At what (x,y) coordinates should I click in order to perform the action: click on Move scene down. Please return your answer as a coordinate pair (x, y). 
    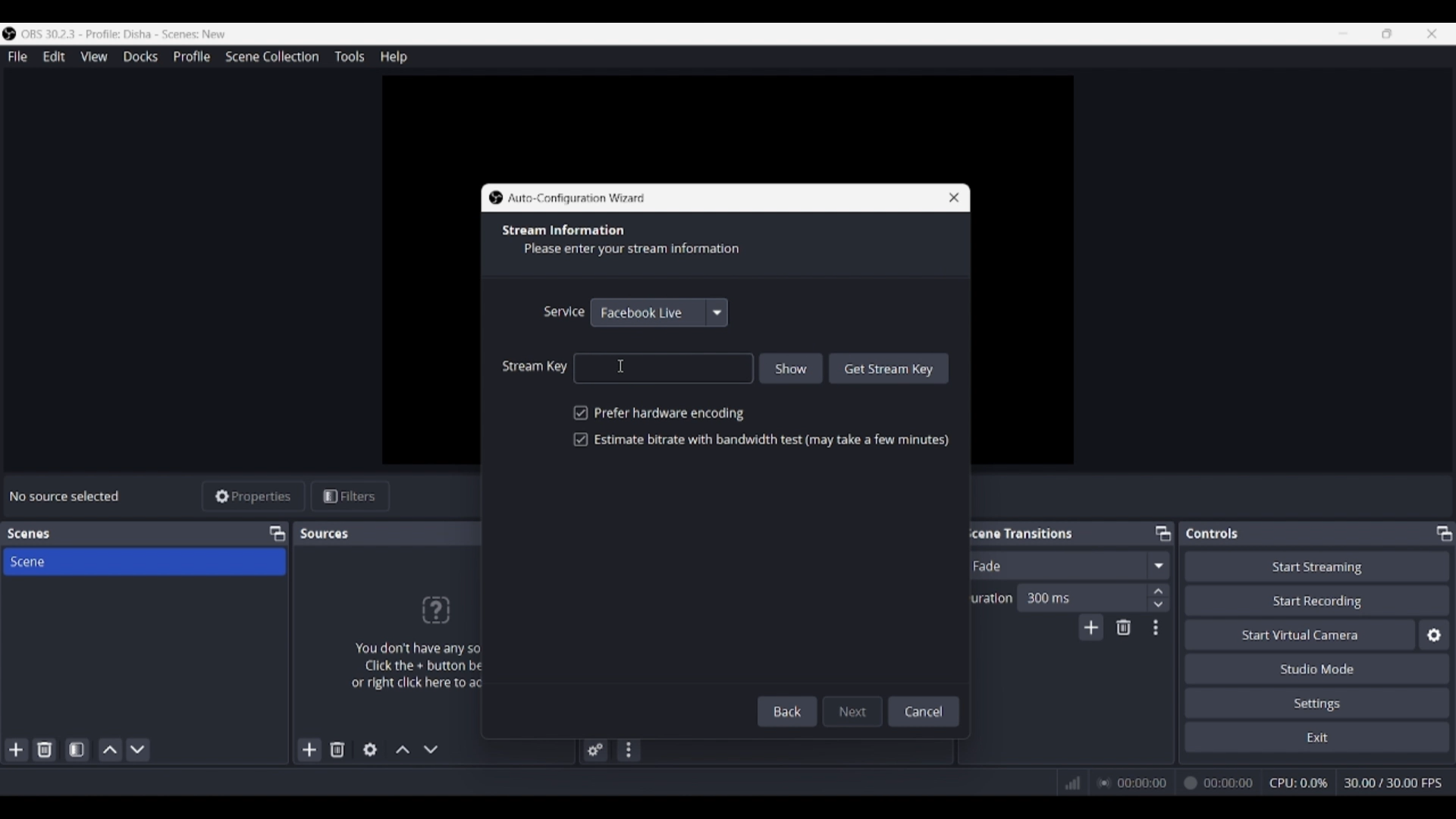
    Looking at the image, I should click on (137, 750).